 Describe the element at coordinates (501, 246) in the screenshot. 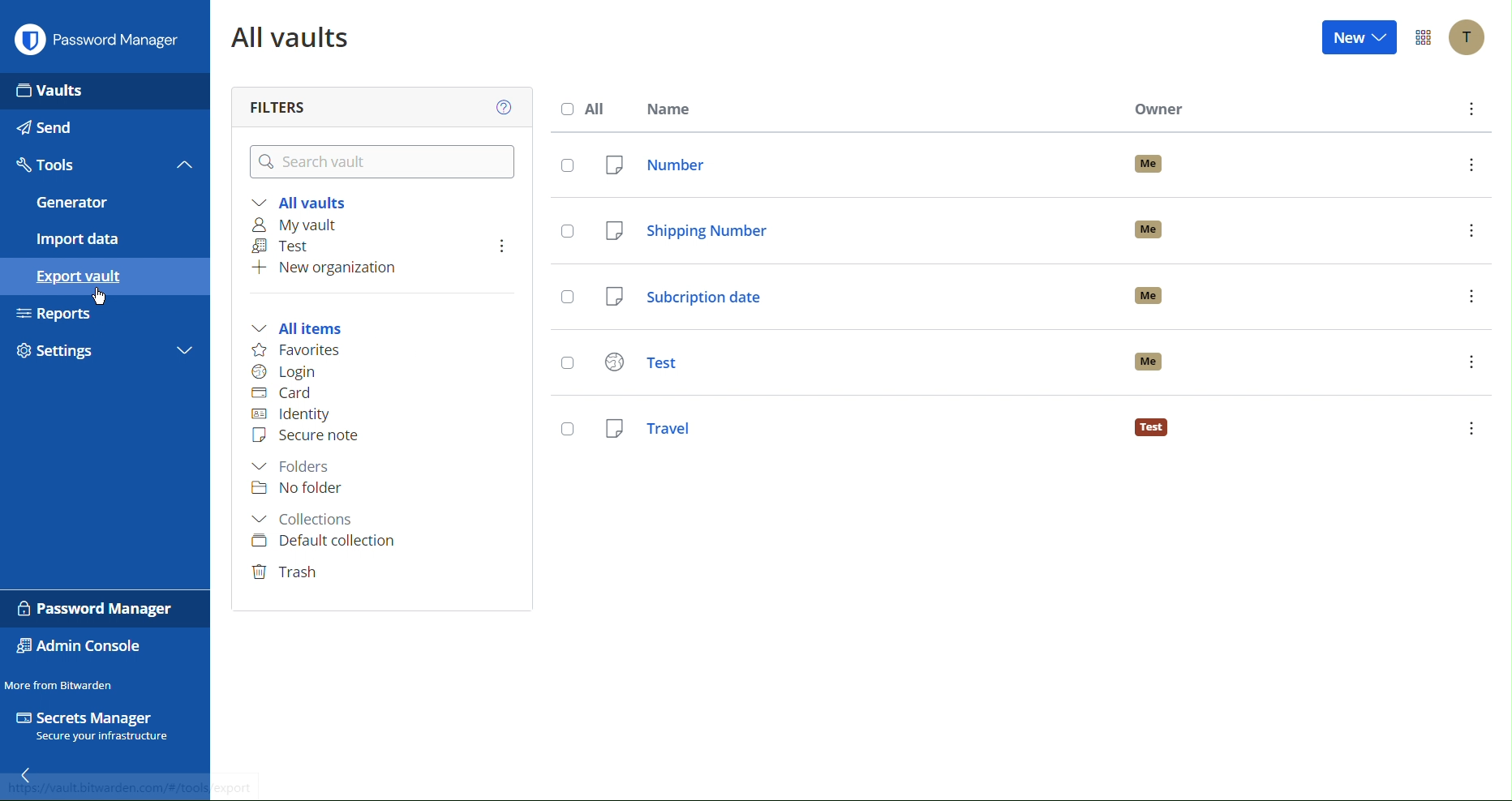

I see `more` at that location.